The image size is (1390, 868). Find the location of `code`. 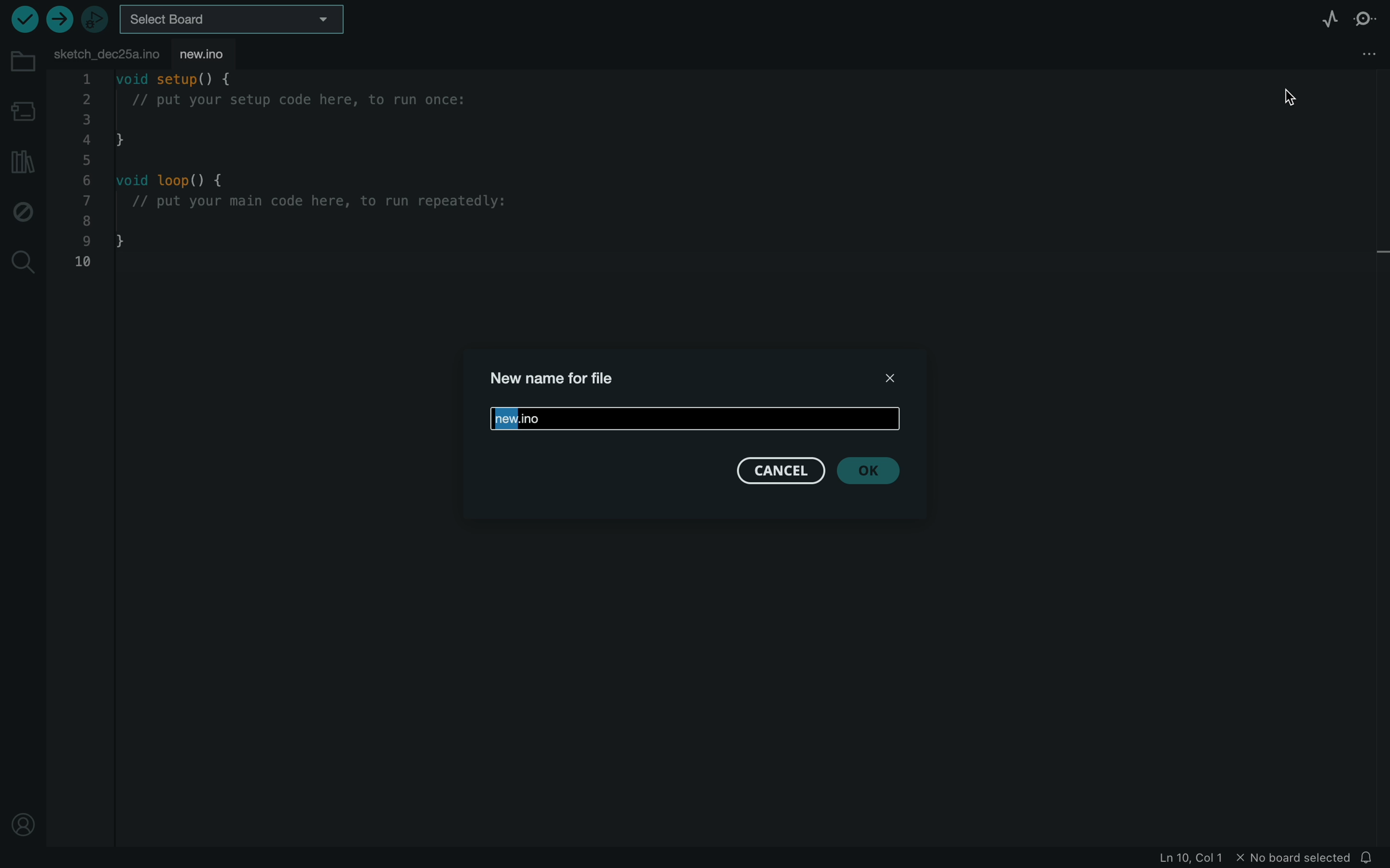

code is located at coordinates (314, 177).